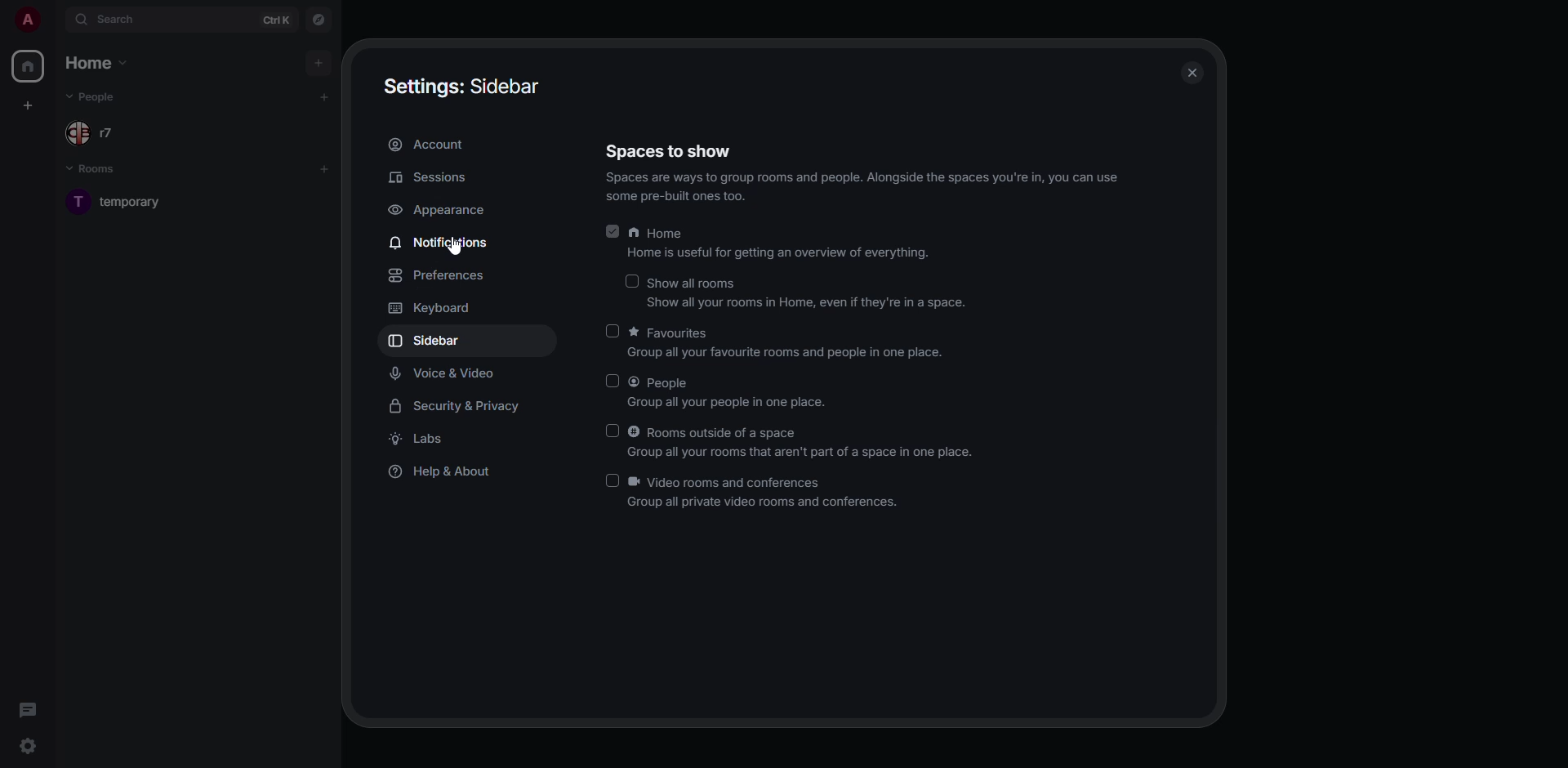 The width and height of the screenshot is (1568, 768). I want to click on people, so click(735, 393).